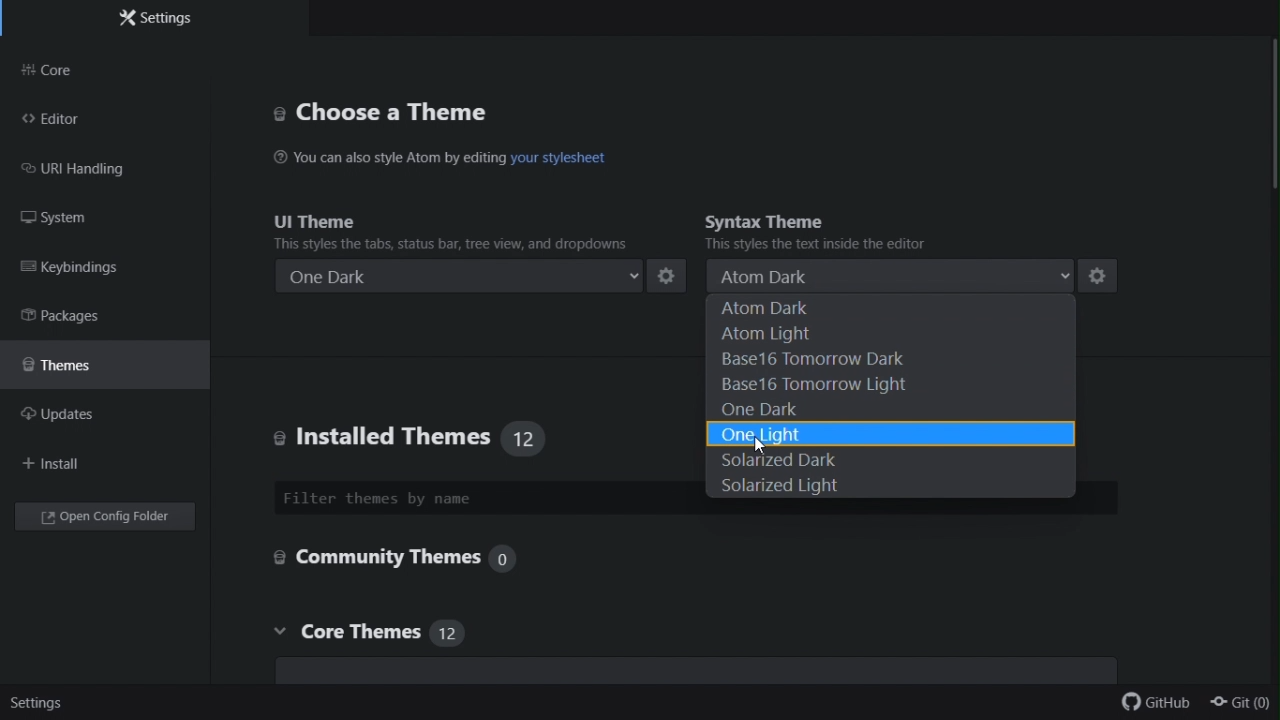 The image size is (1280, 720). What do you see at coordinates (889, 335) in the screenshot?
I see `atom light` at bounding box center [889, 335].